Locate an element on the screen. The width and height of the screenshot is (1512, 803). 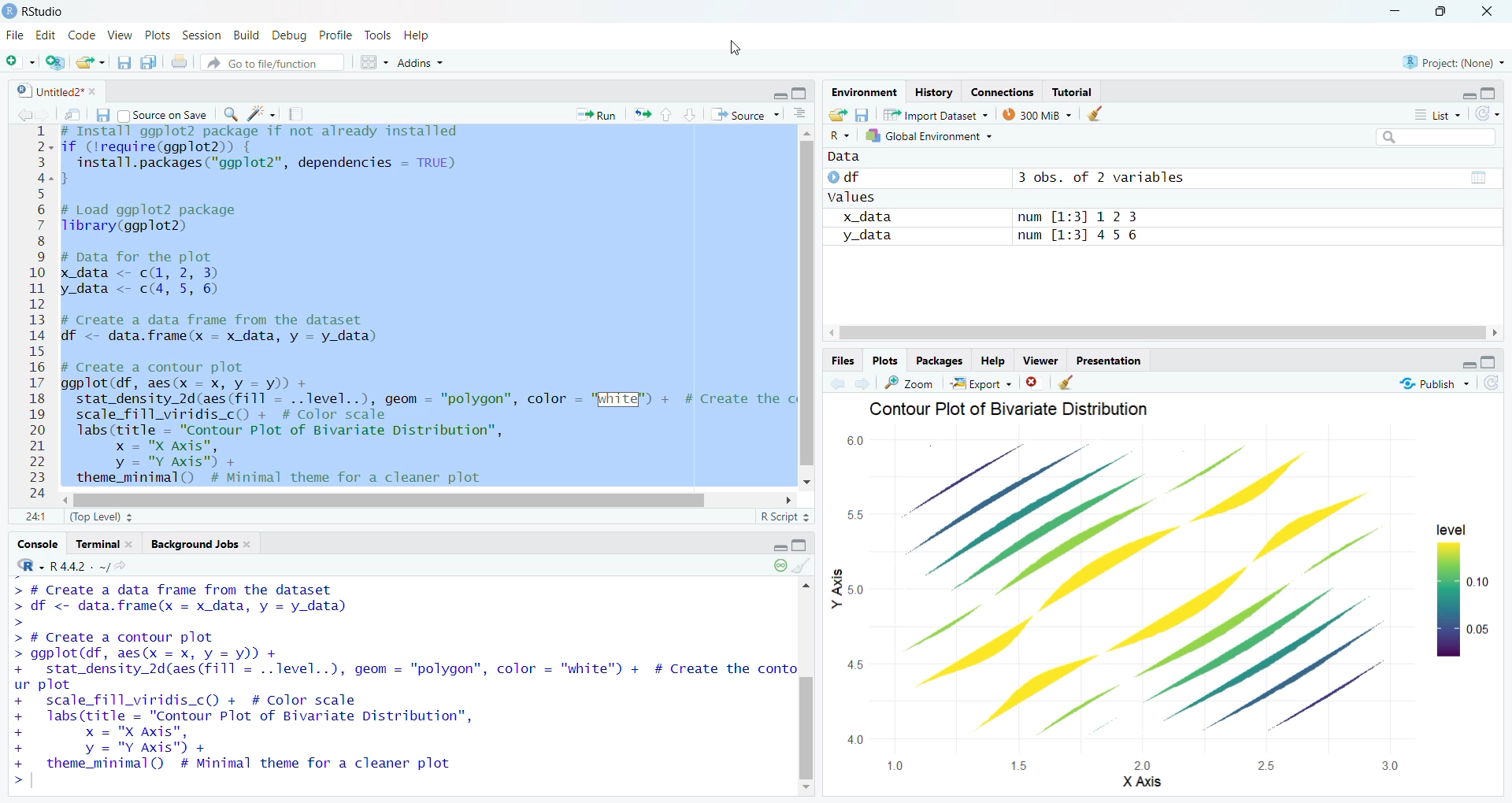
Plots is located at coordinates (158, 37).